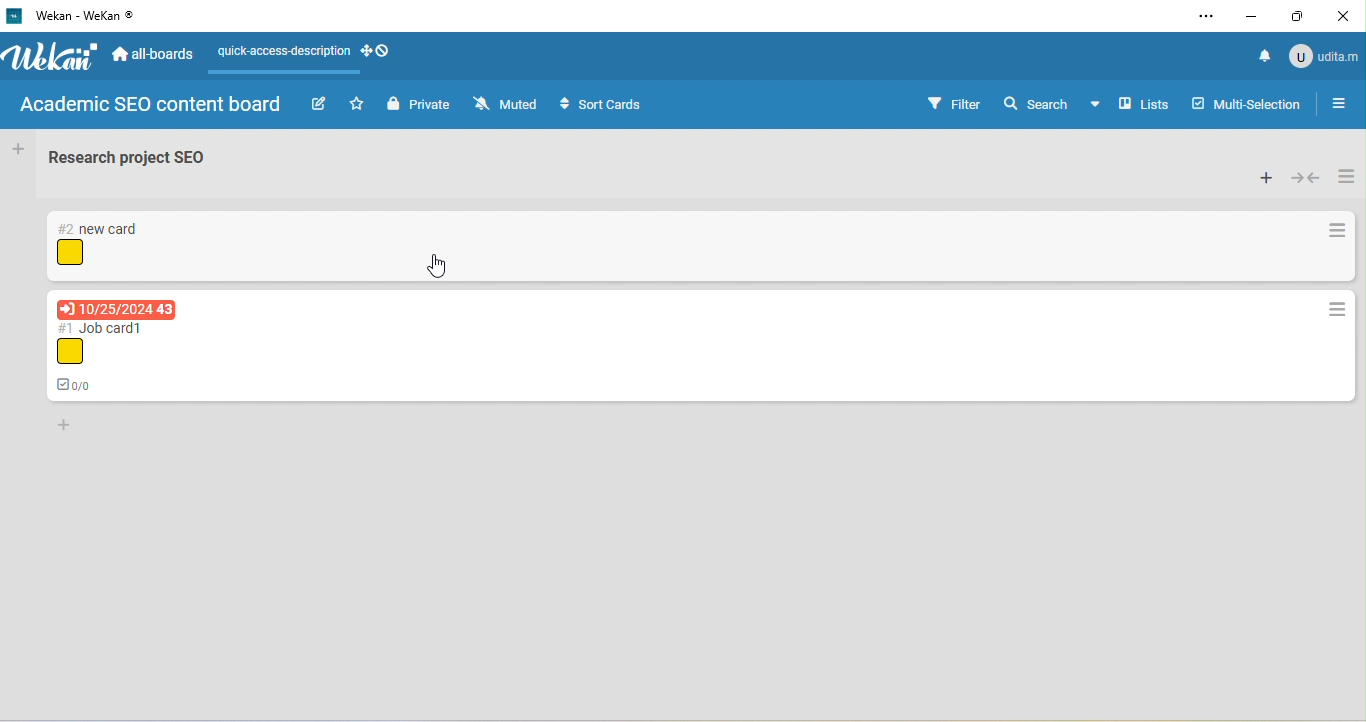  I want to click on notifications, so click(1260, 55).